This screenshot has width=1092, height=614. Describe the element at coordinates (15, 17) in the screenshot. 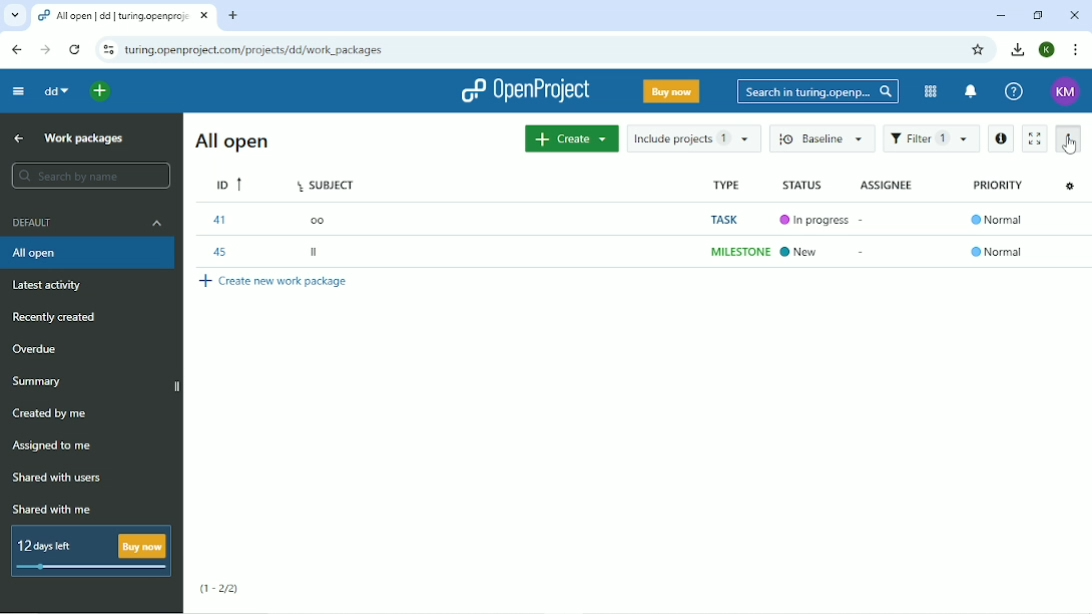

I see `Search tabs` at that location.